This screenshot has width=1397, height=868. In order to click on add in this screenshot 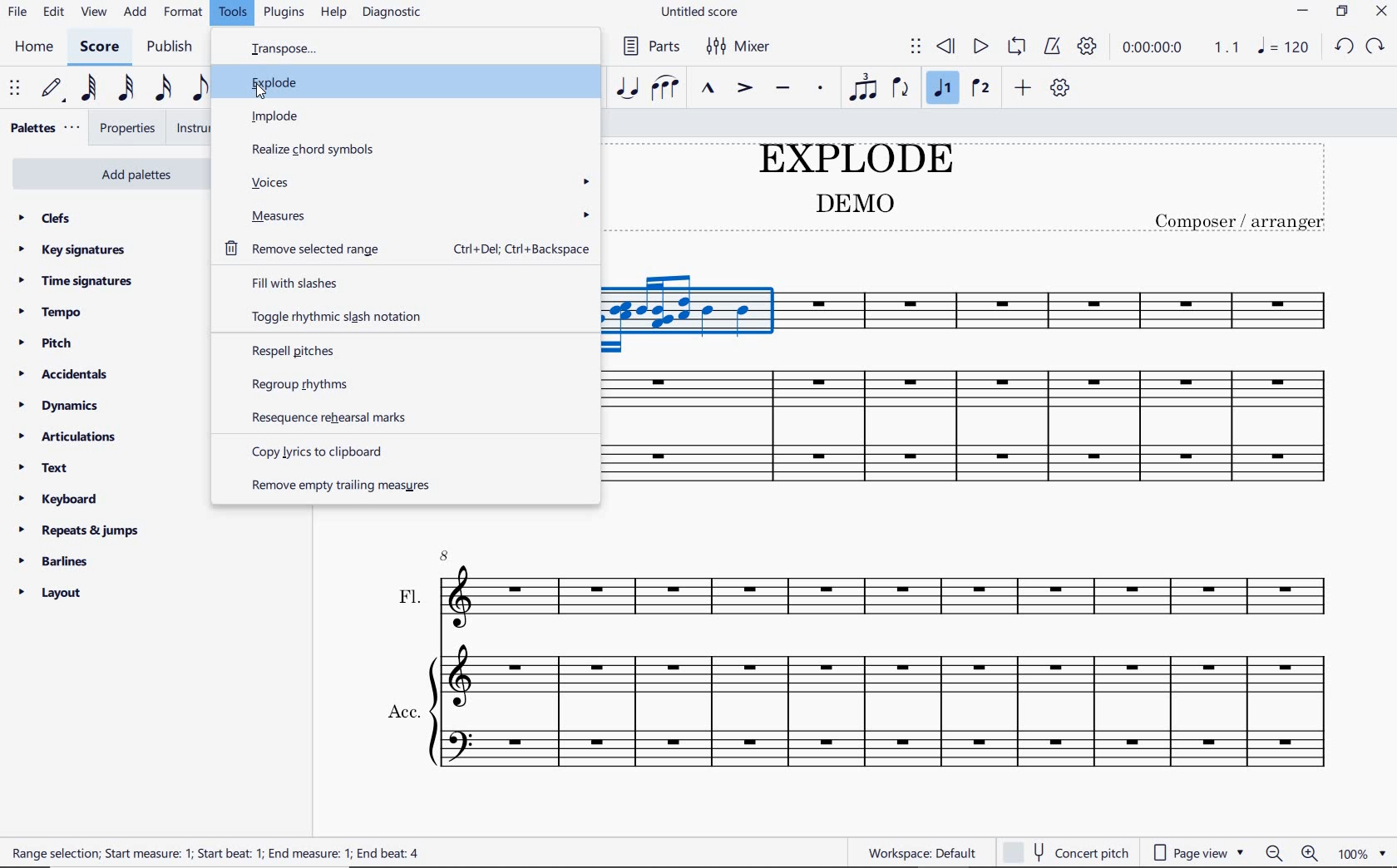, I will do `click(1023, 90)`.